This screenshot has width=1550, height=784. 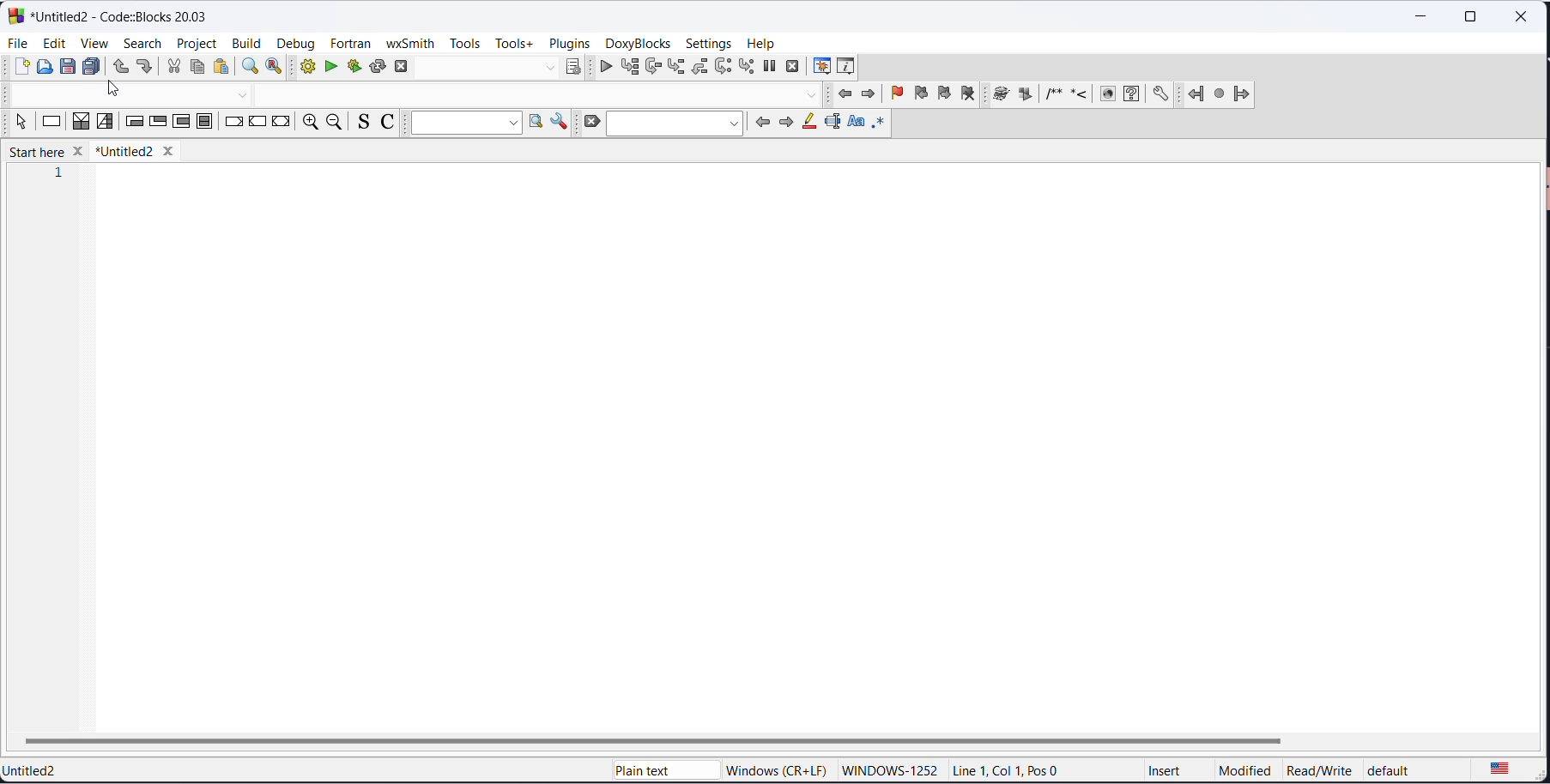 I want to click on insert , so click(x=1169, y=769).